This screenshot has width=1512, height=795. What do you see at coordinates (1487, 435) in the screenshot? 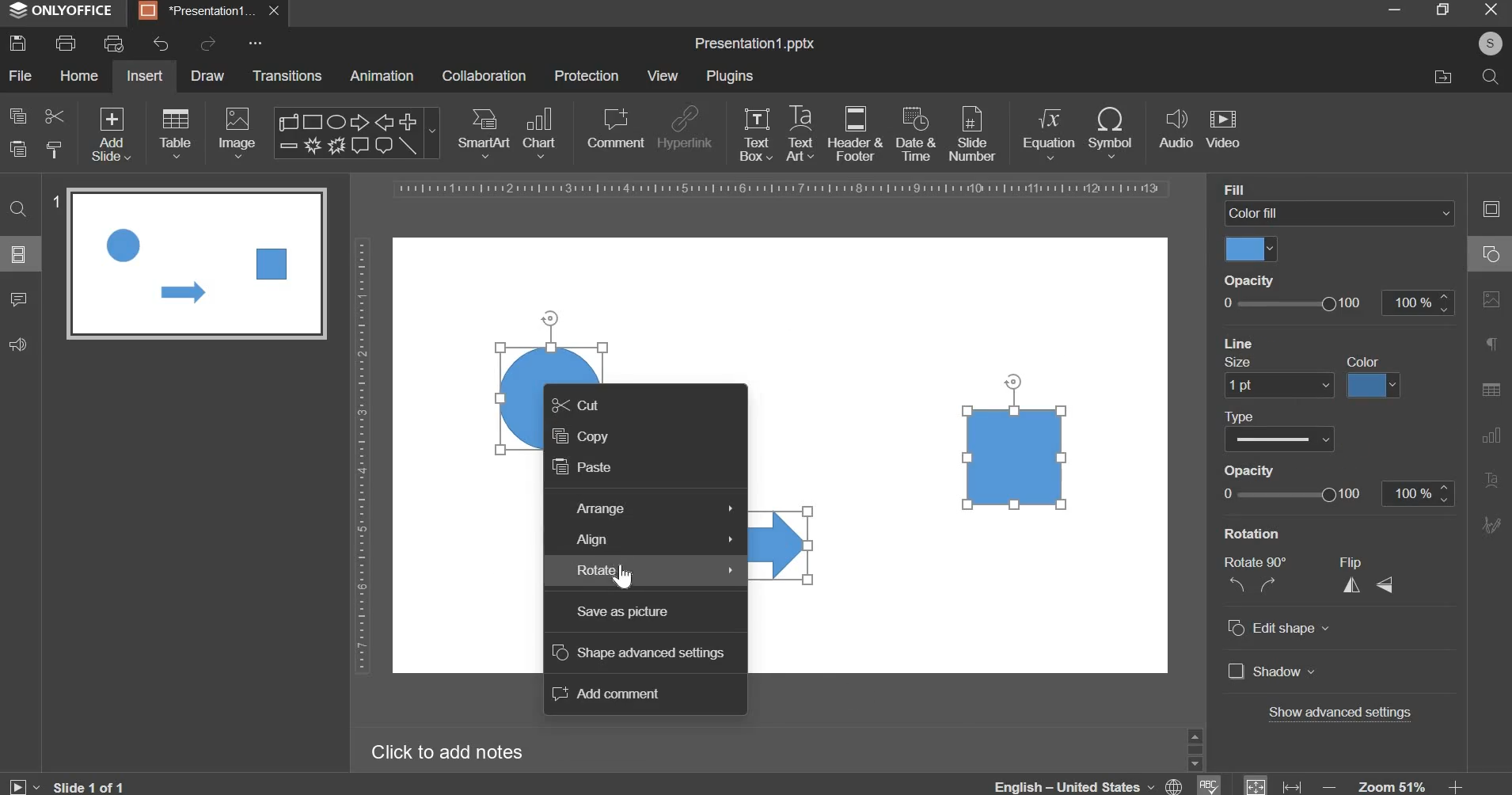
I see `chart settings` at bounding box center [1487, 435].